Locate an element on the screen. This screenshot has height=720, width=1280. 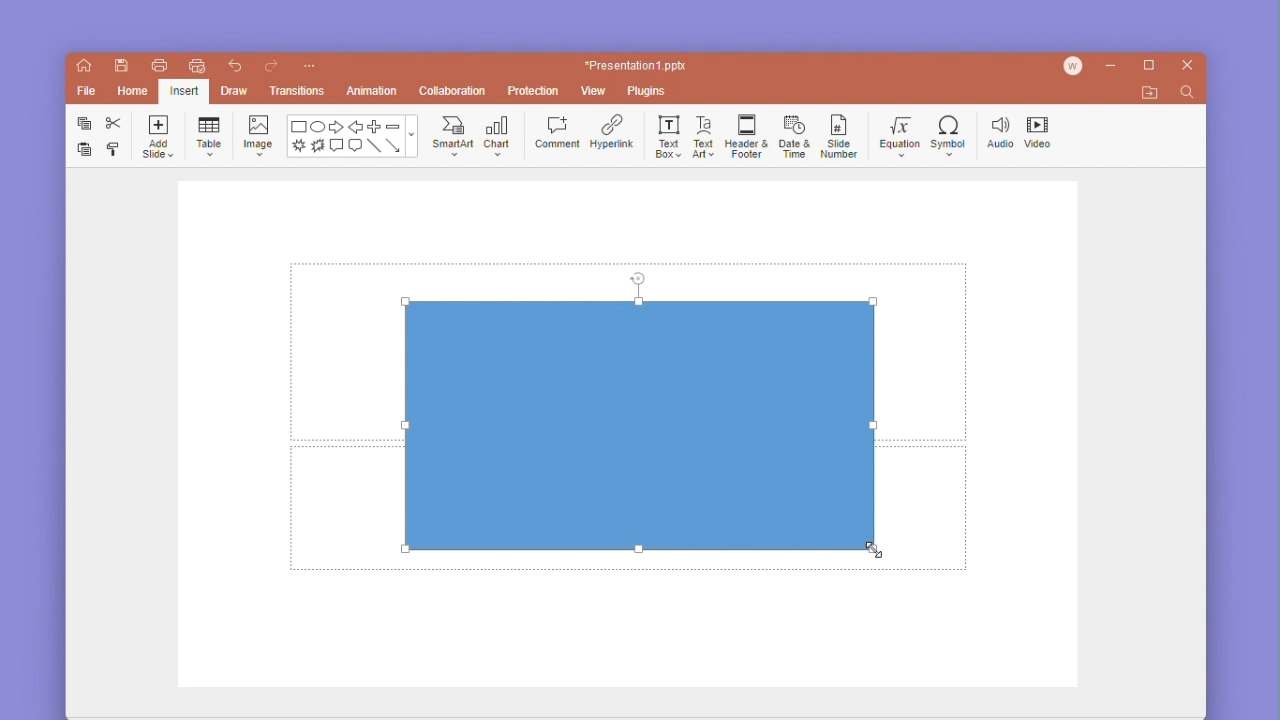
protection is located at coordinates (530, 91).